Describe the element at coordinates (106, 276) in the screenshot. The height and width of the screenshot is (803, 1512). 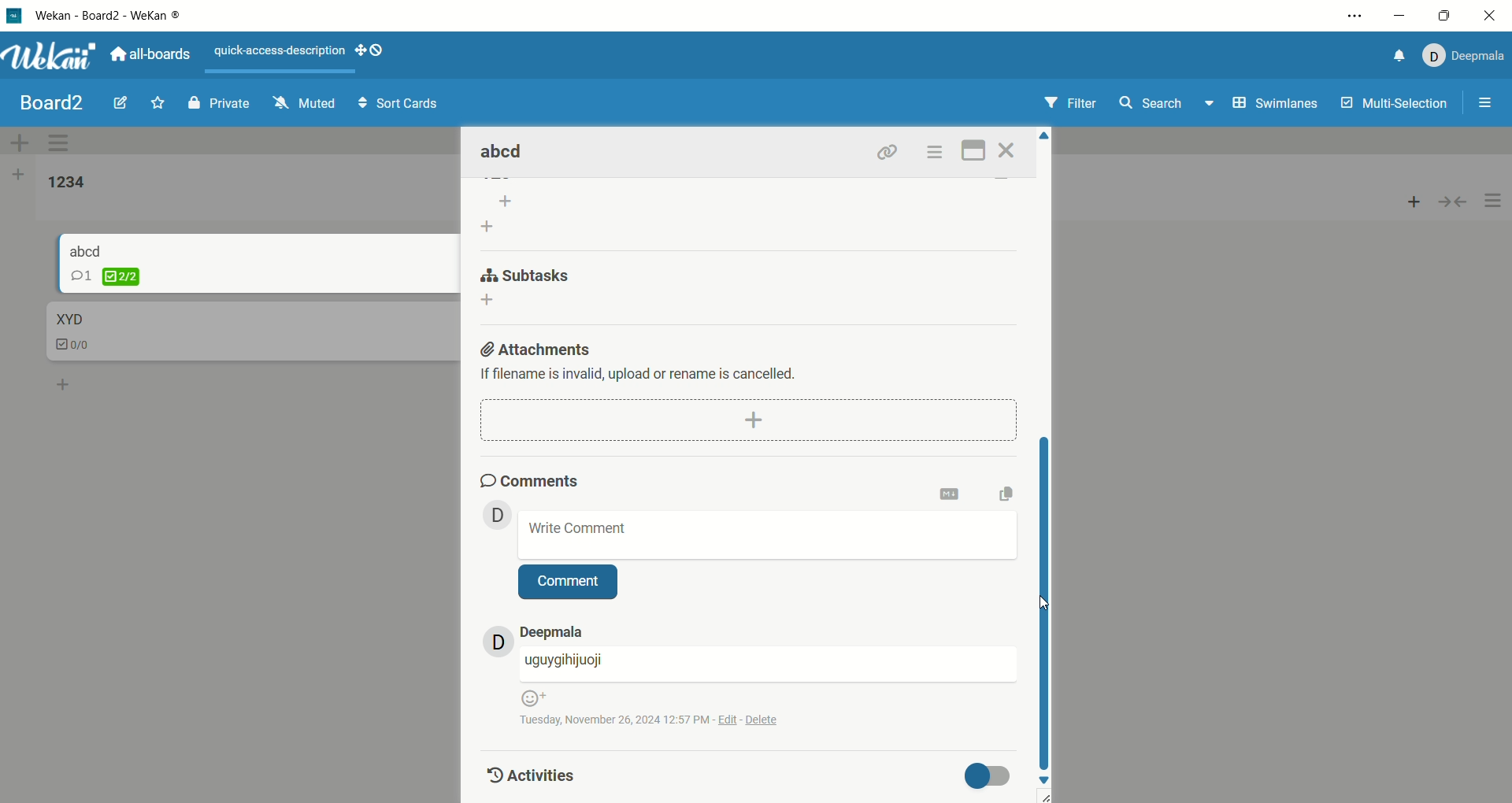
I see `checklist` at that location.